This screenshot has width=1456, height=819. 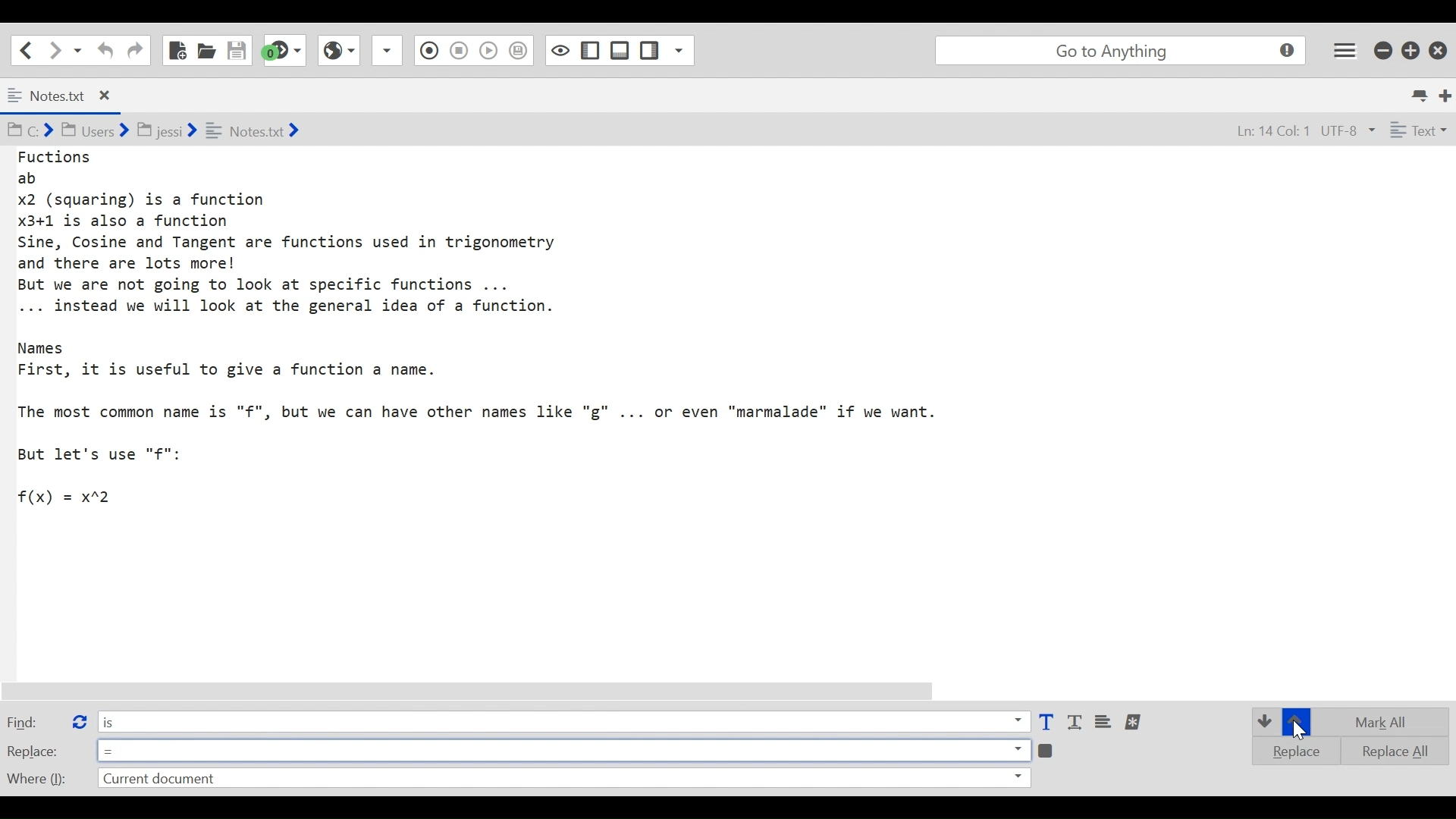 I want to click on Save File, so click(x=238, y=50).